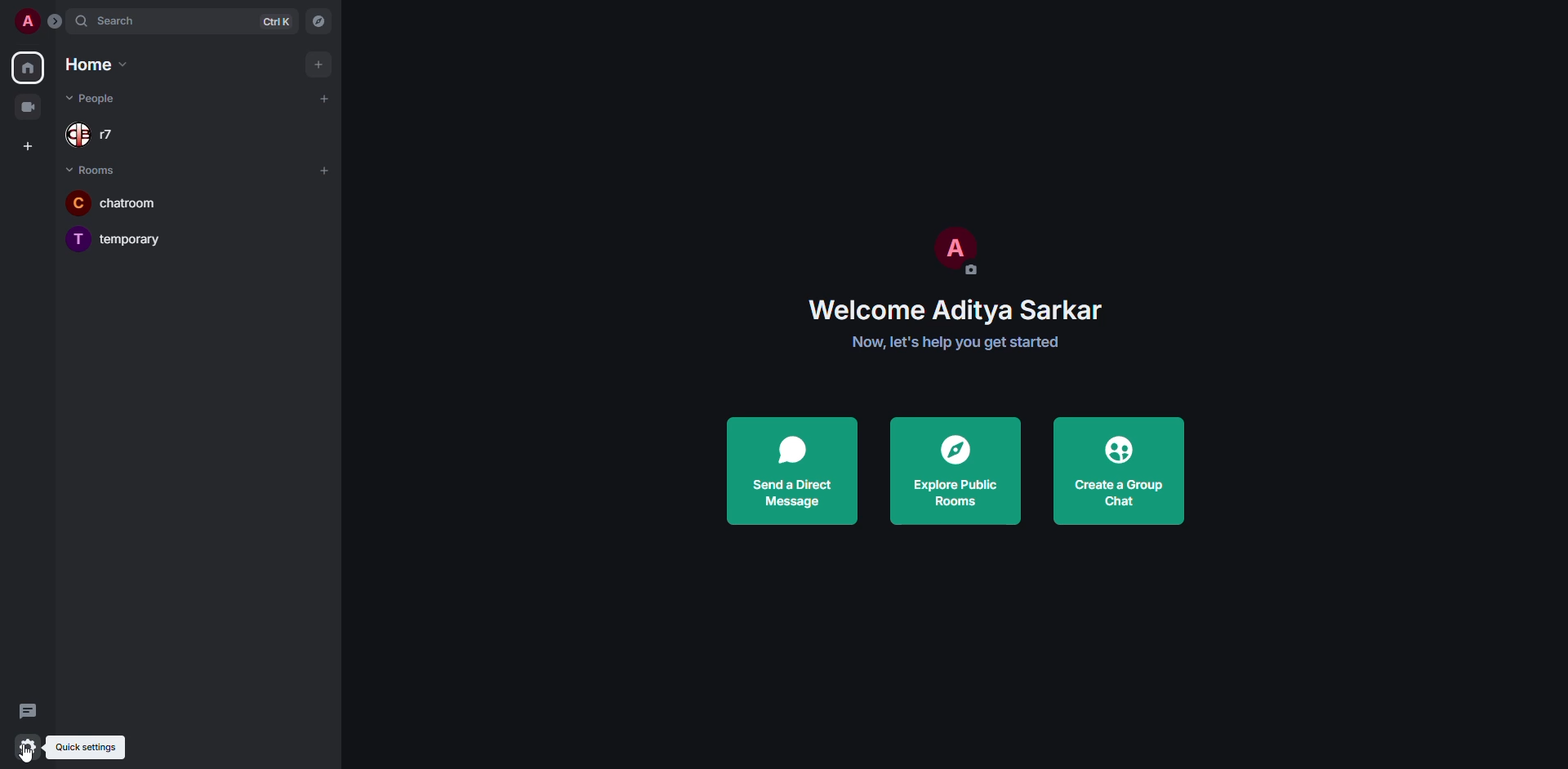 The width and height of the screenshot is (1568, 769). What do you see at coordinates (87, 746) in the screenshot?
I see `quick settings` at bounding box center [87, 746].